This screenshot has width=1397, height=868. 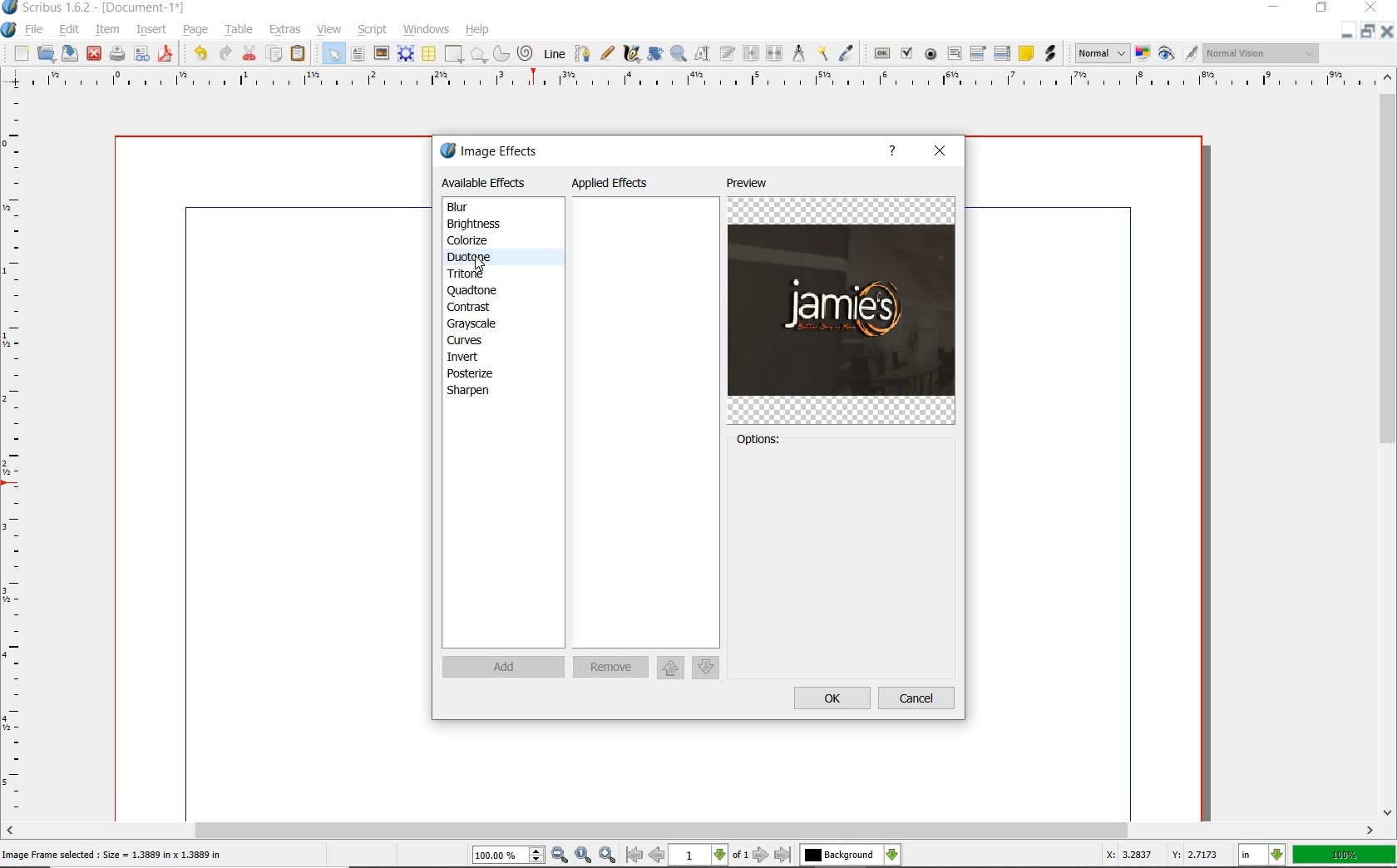 I want to click on grayscale, so click(x=473, y=324).